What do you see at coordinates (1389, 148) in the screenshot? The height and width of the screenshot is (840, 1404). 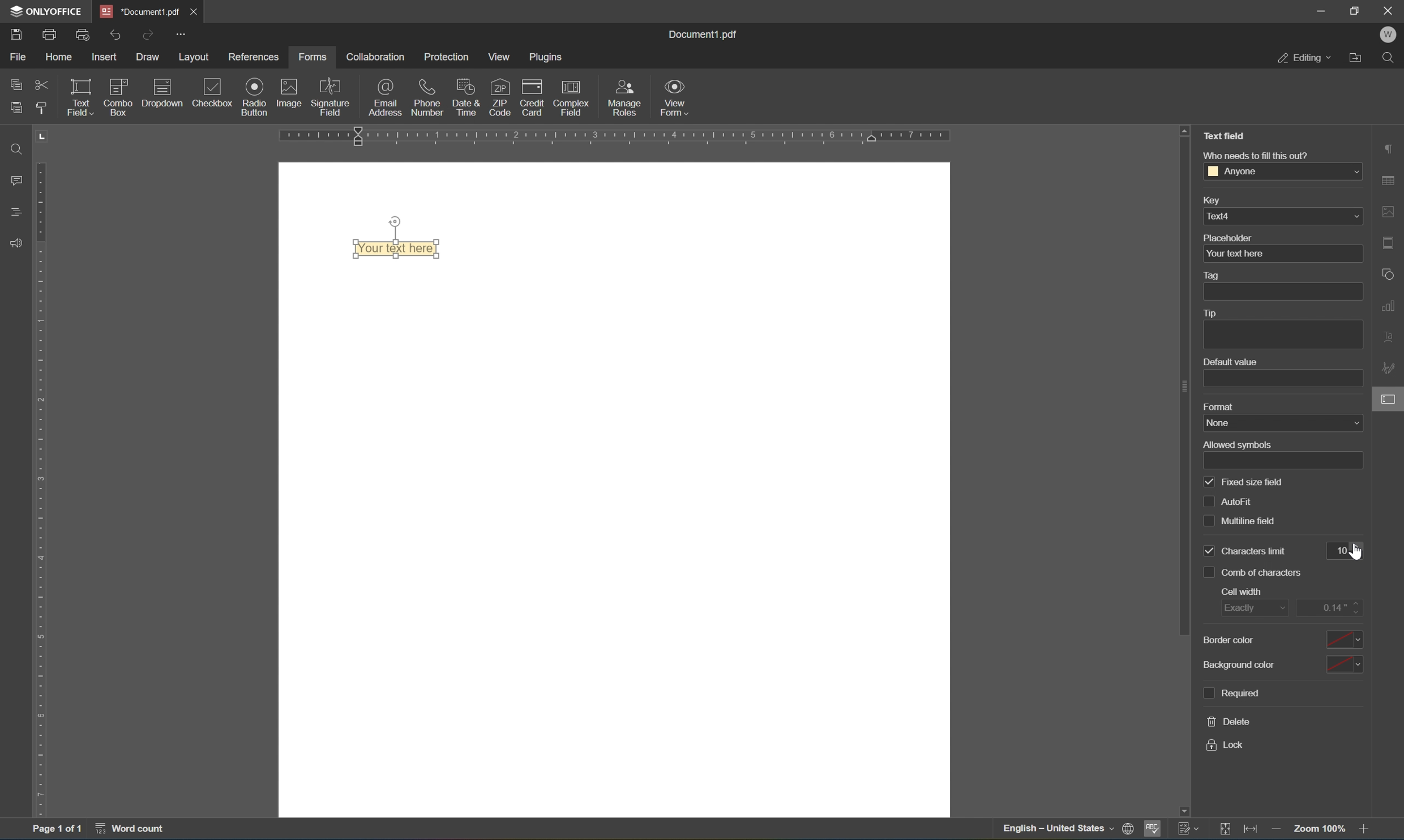 I see `paragraph settings` at bounding box center [1389, 148].